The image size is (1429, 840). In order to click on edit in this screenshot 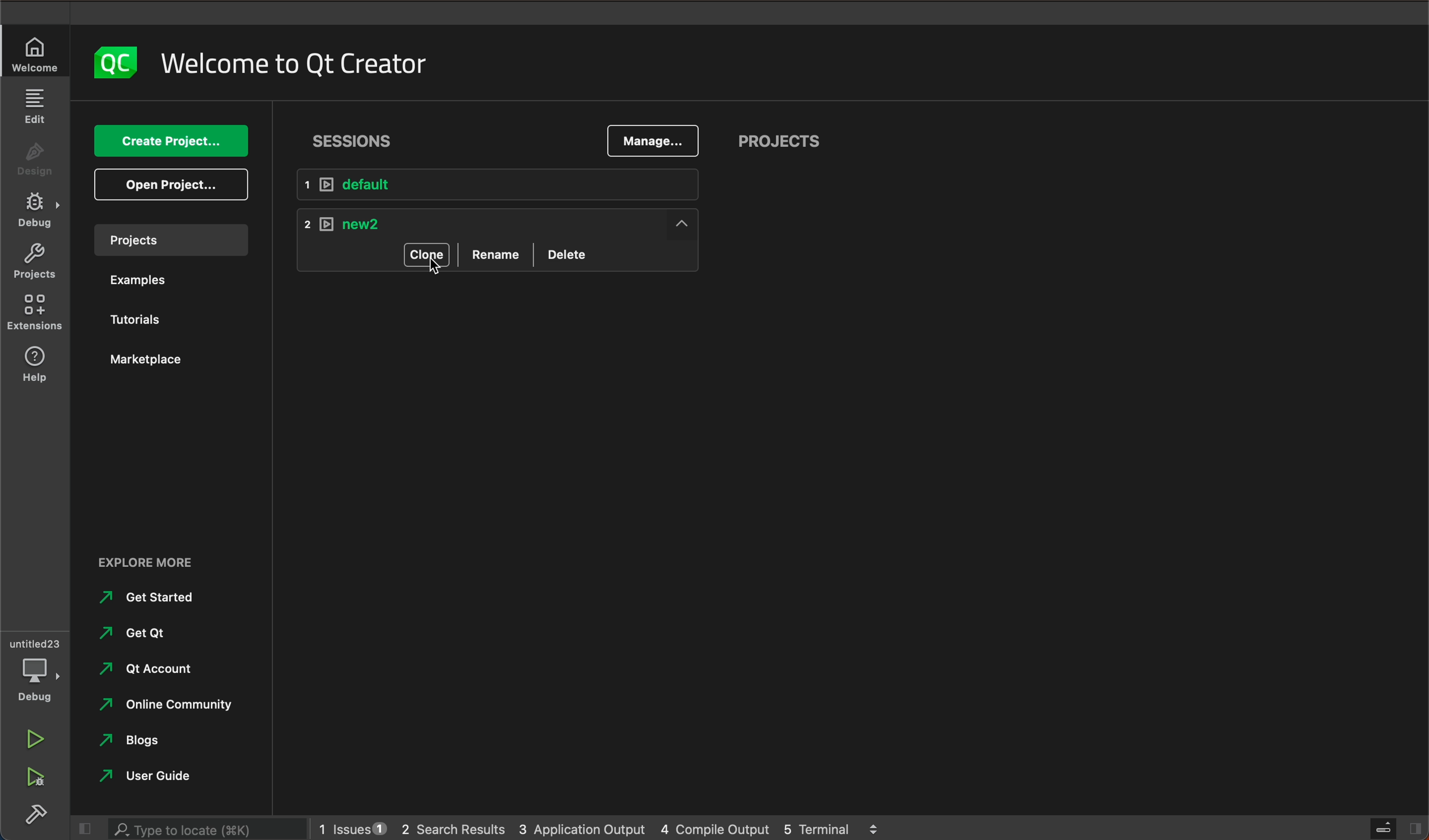, I will do `click(38, 109)`.